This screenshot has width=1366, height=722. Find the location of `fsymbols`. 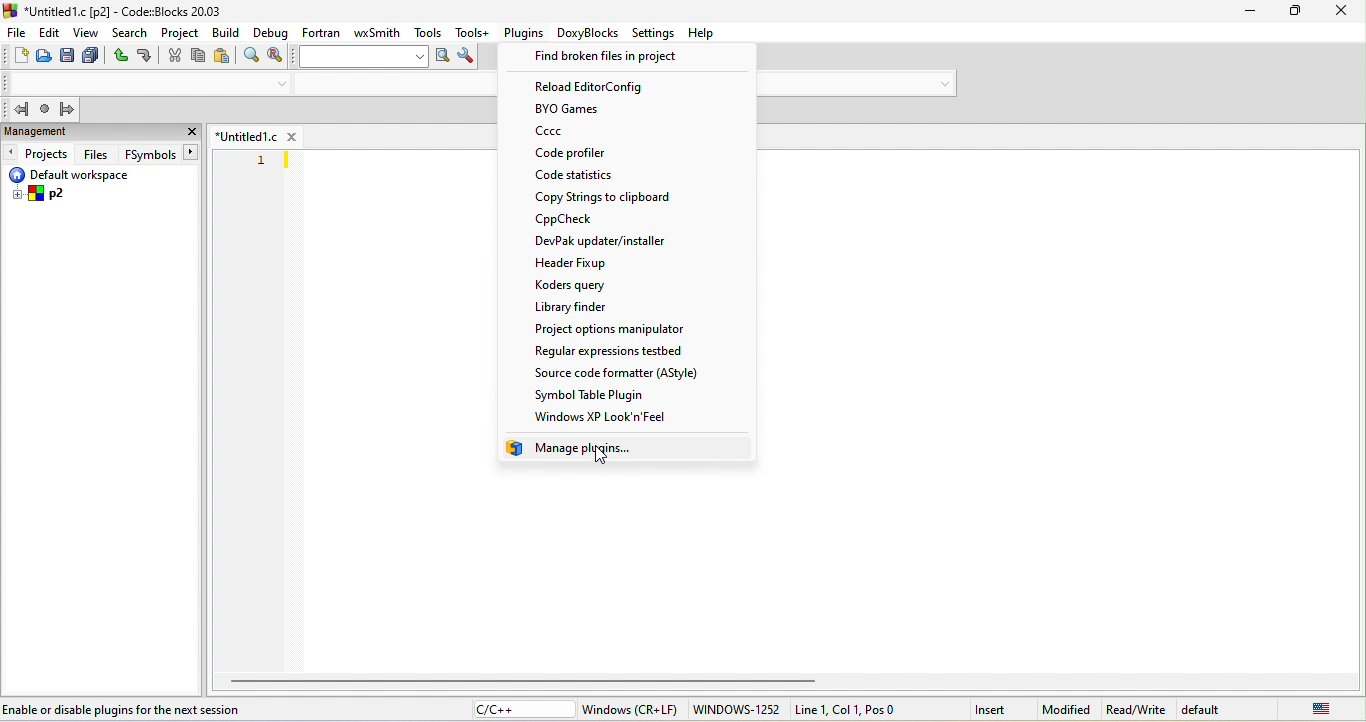

fsymbols is located at coordinates (148, 154).